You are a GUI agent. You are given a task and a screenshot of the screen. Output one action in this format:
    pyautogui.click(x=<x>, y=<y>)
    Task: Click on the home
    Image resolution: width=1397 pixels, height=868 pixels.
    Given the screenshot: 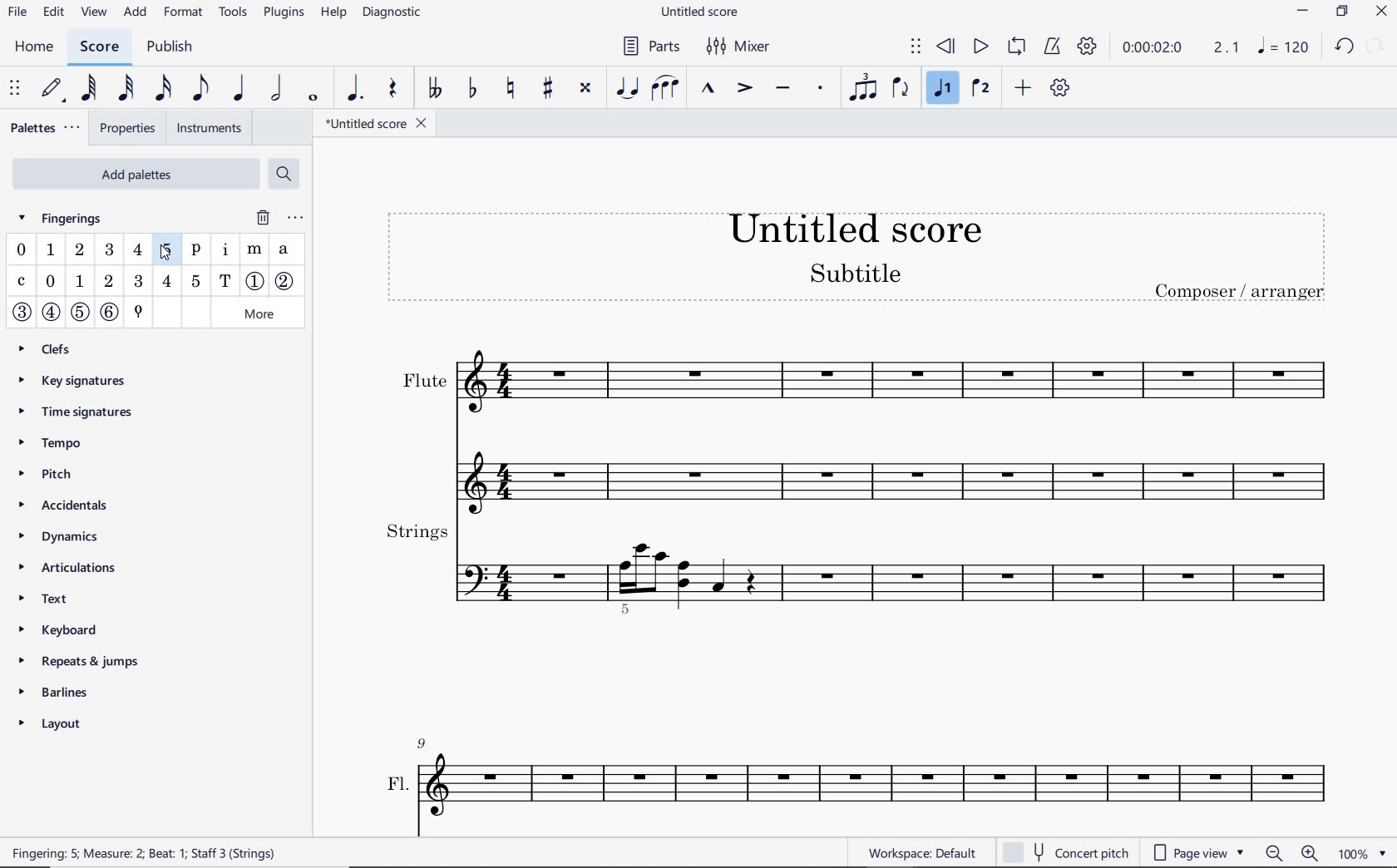 What is the action you would take?
    pyautogui.click(x=33, y=47)
    